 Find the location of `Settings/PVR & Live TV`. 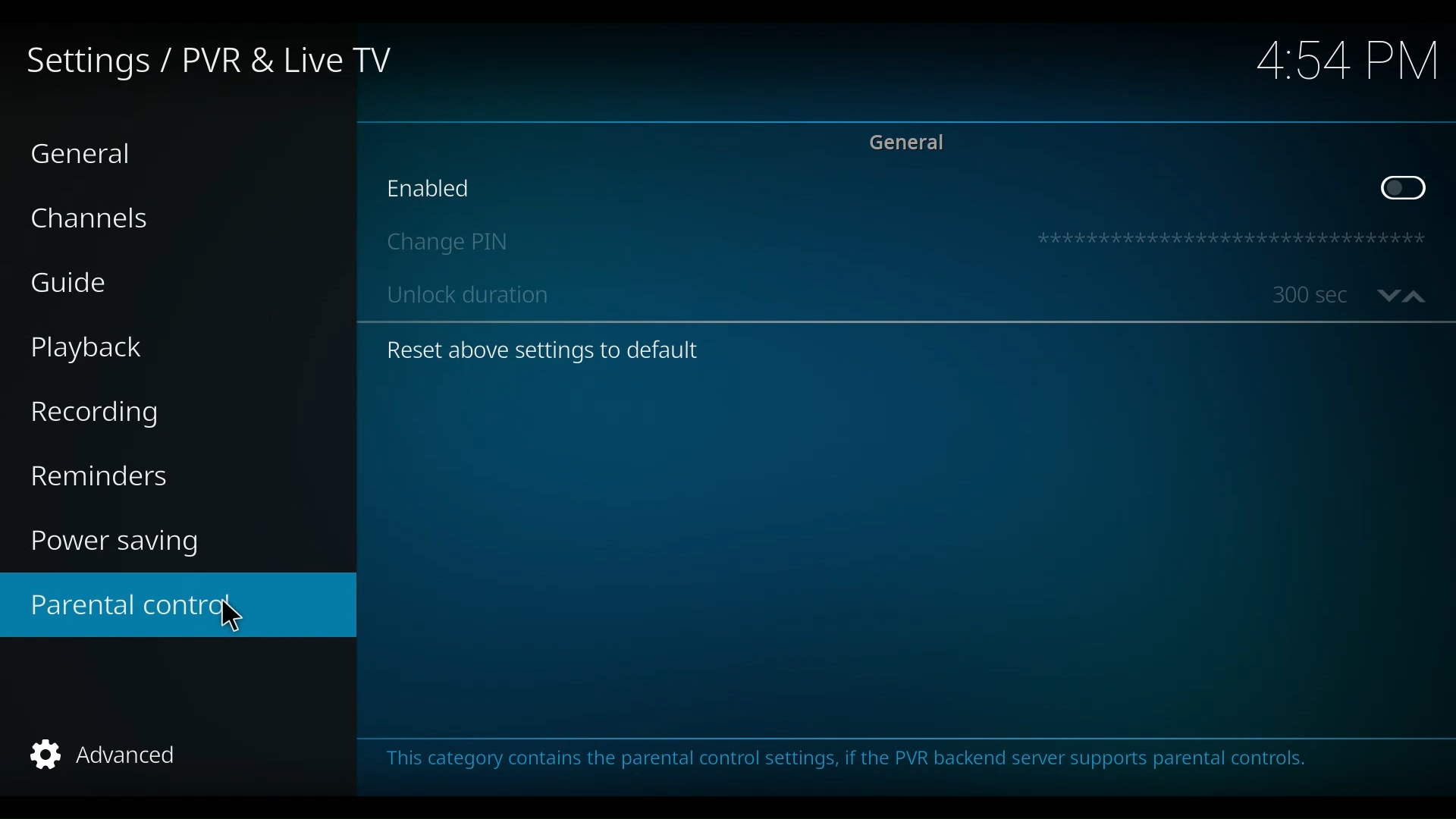

Settings/PVR & Live TV is located at coordinates (208, 62).